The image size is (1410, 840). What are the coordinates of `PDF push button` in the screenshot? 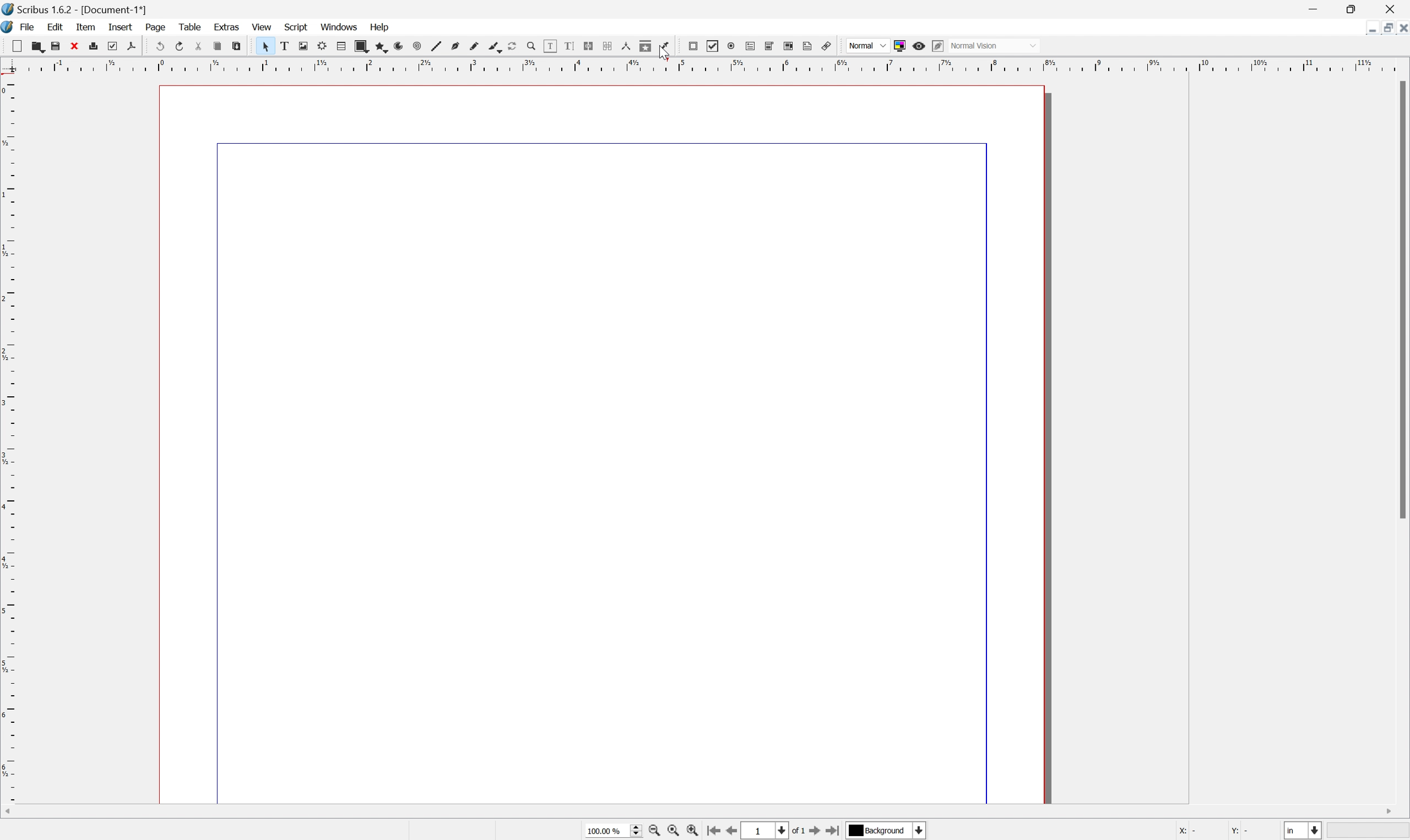 It's located at (691, 46).